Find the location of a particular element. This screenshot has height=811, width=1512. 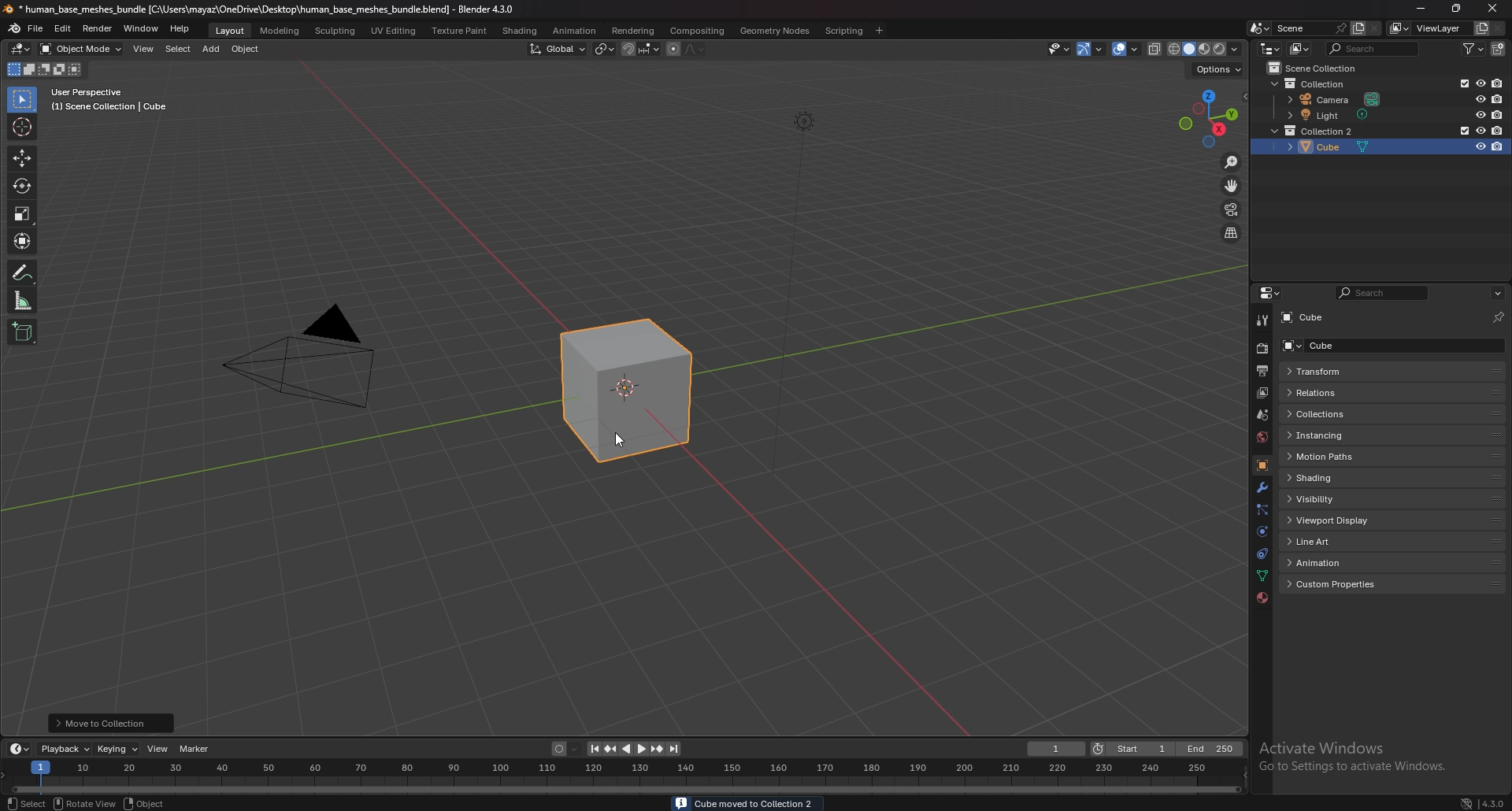

texture paint is located at coordinates (461, 31).